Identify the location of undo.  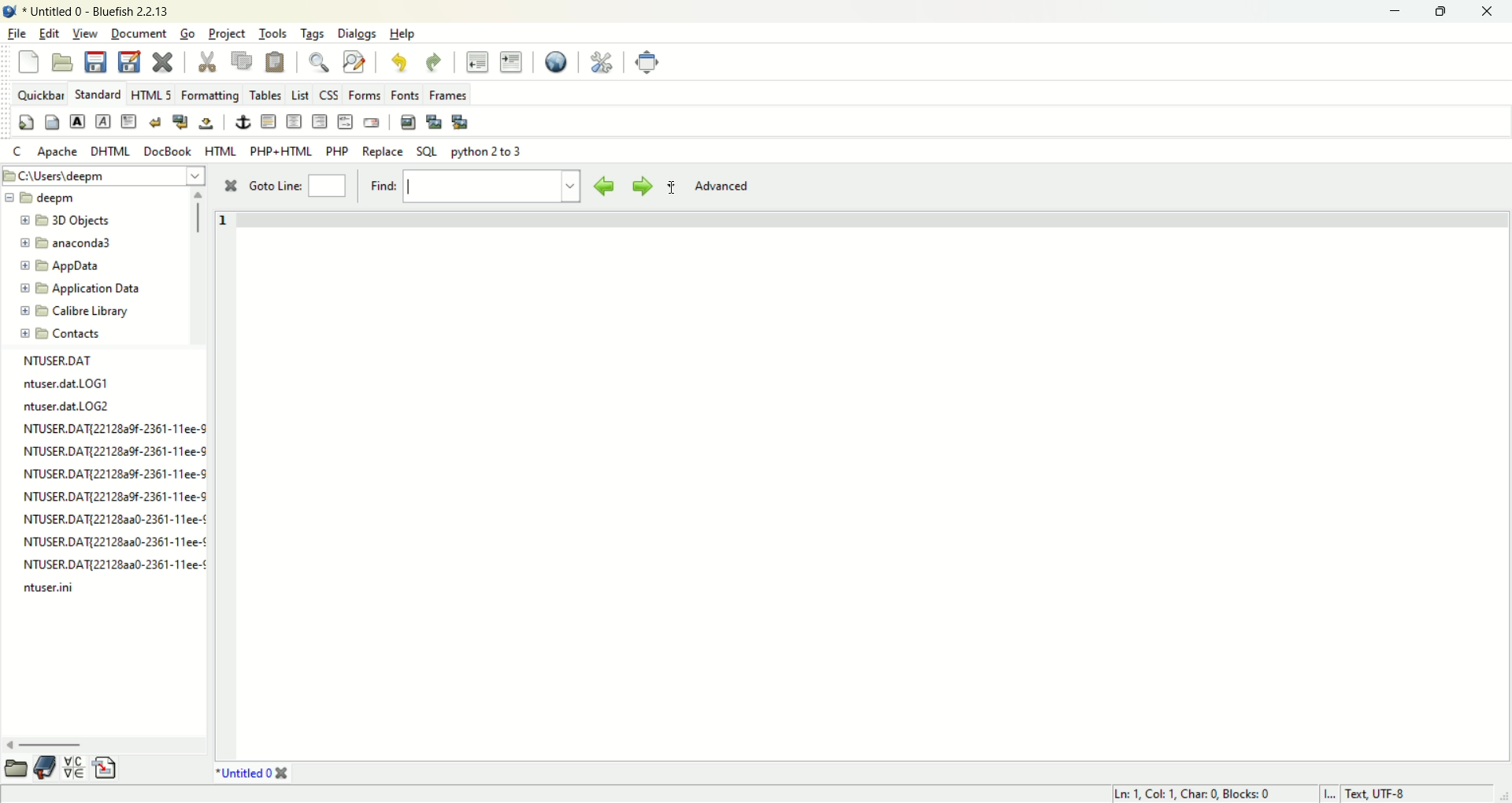
(396, 61).